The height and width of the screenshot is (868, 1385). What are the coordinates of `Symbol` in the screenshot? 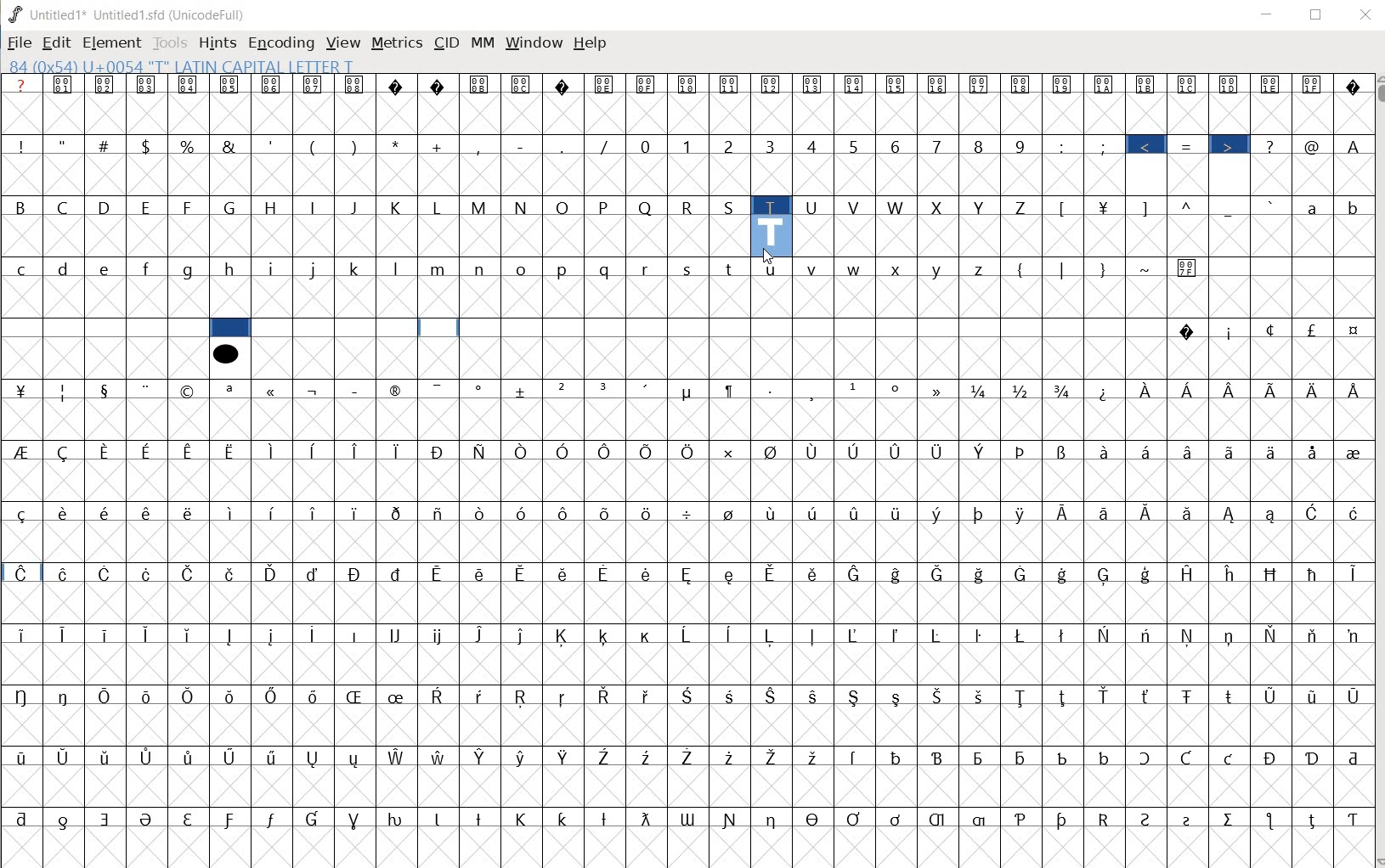 It's located at (690, 635).